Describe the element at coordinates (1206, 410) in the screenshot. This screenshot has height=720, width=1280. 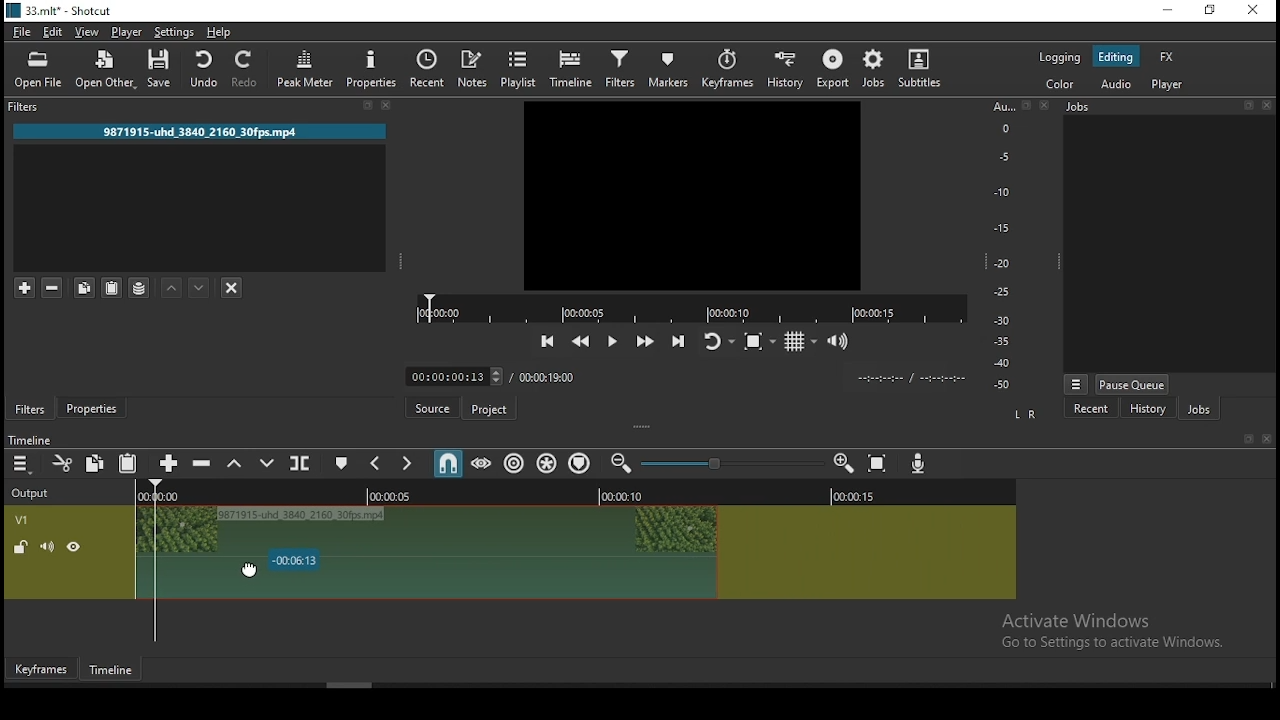
I see `jobs` at that location.